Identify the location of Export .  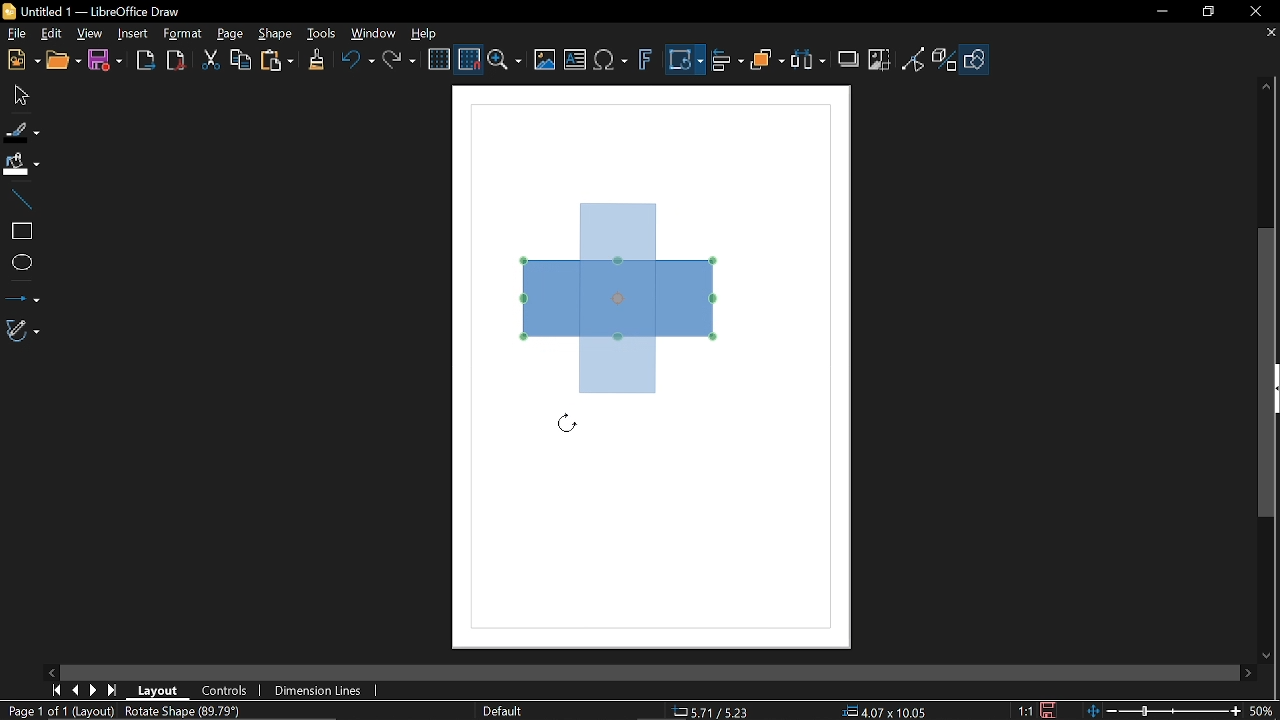
(145, 61).